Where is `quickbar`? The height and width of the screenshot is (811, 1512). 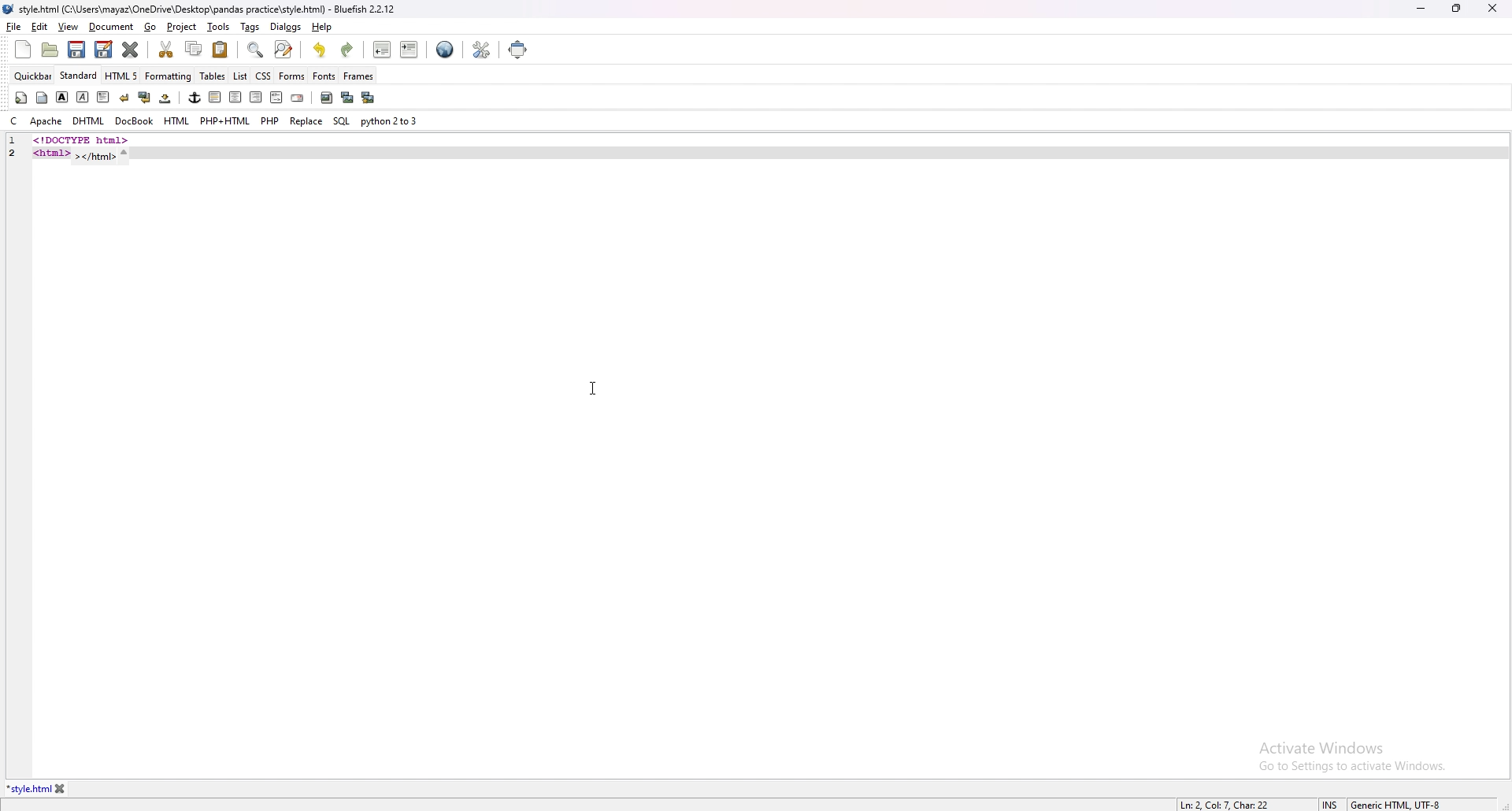
quickbar is located at coordinates (34, 76).